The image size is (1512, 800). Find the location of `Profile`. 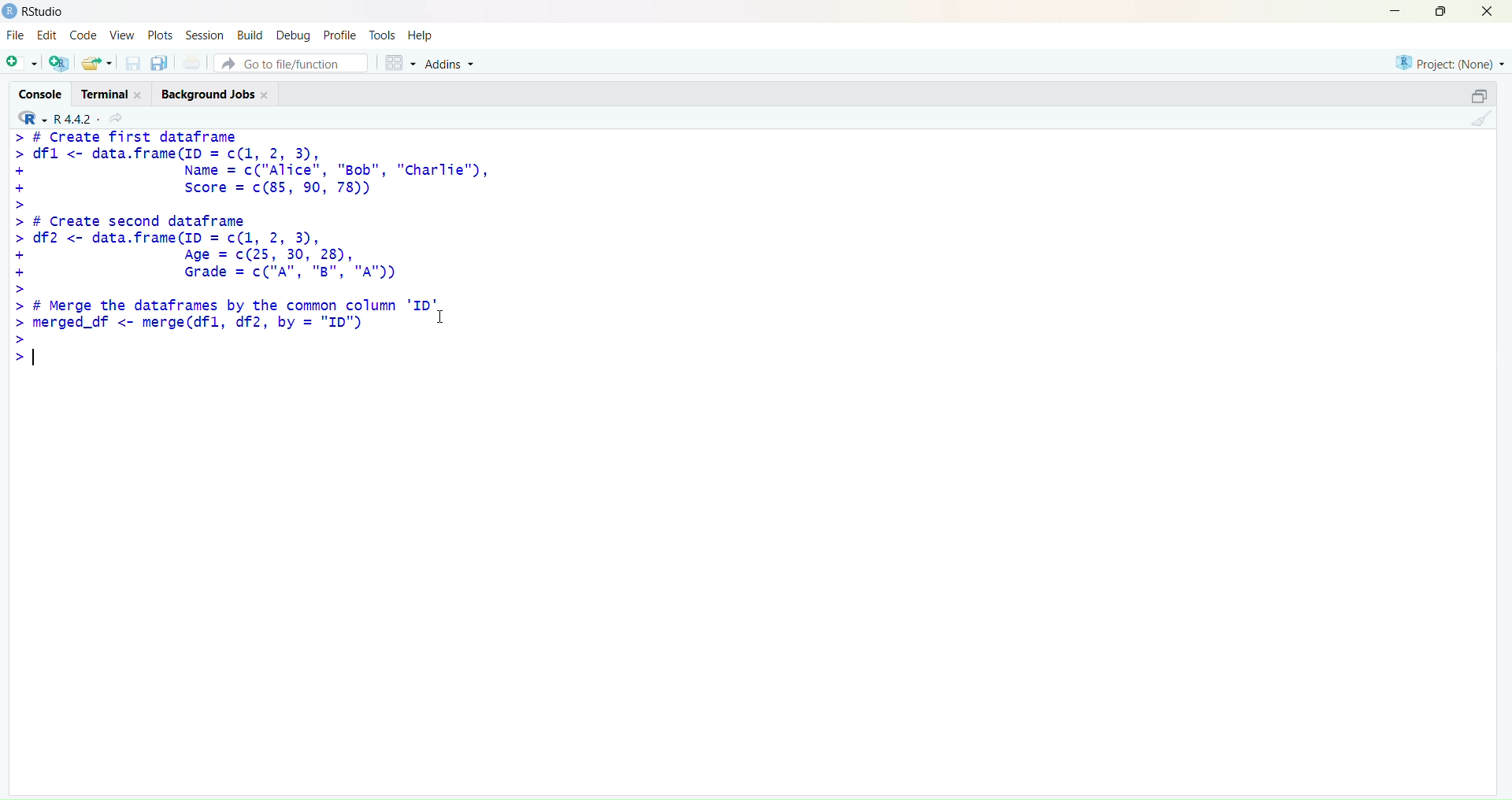

Profile is located at coordinates (341, 35).